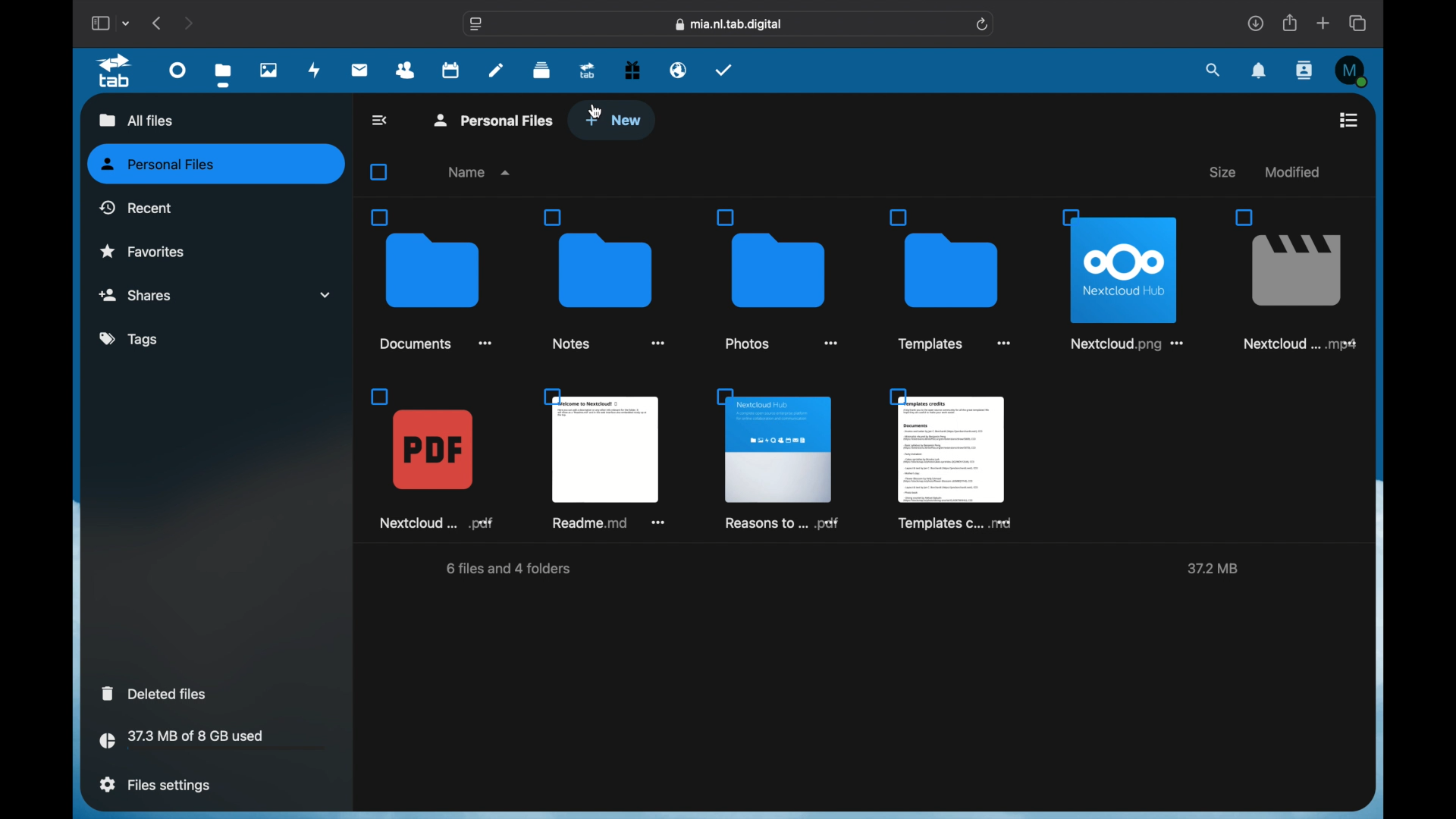  I want to click on mail, so click(360, 71).